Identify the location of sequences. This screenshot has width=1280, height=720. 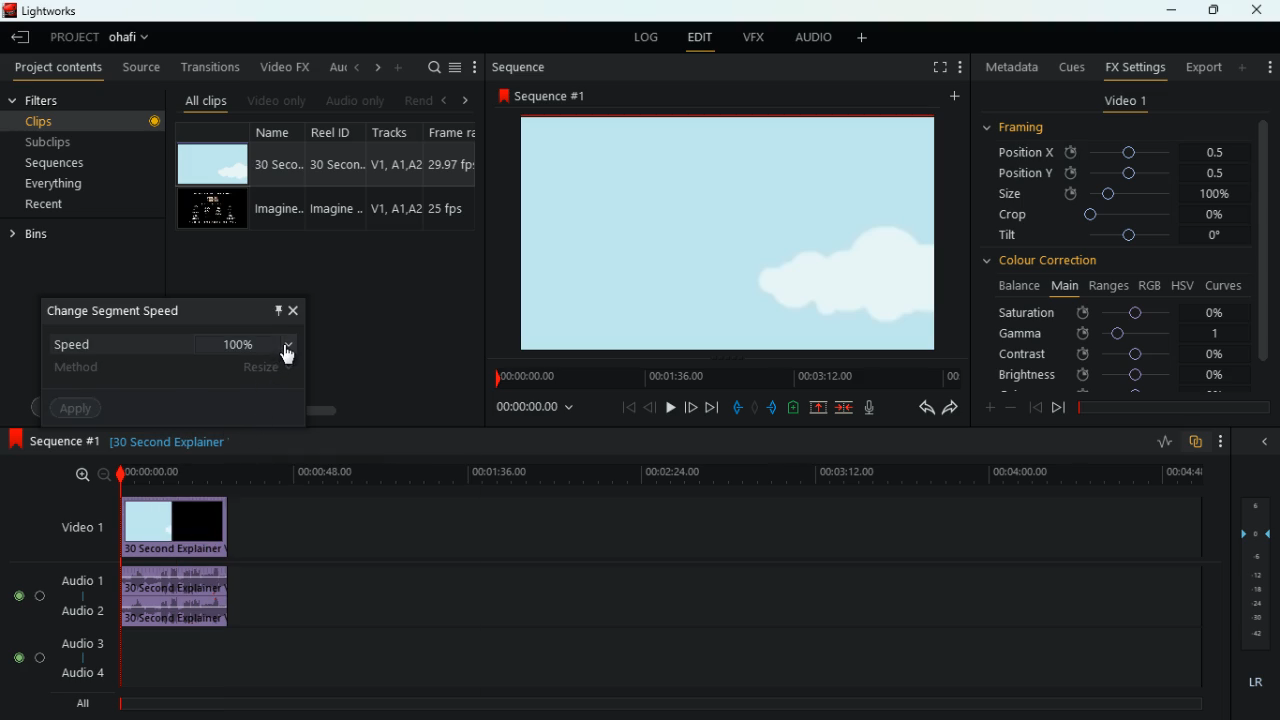
(66, 165).